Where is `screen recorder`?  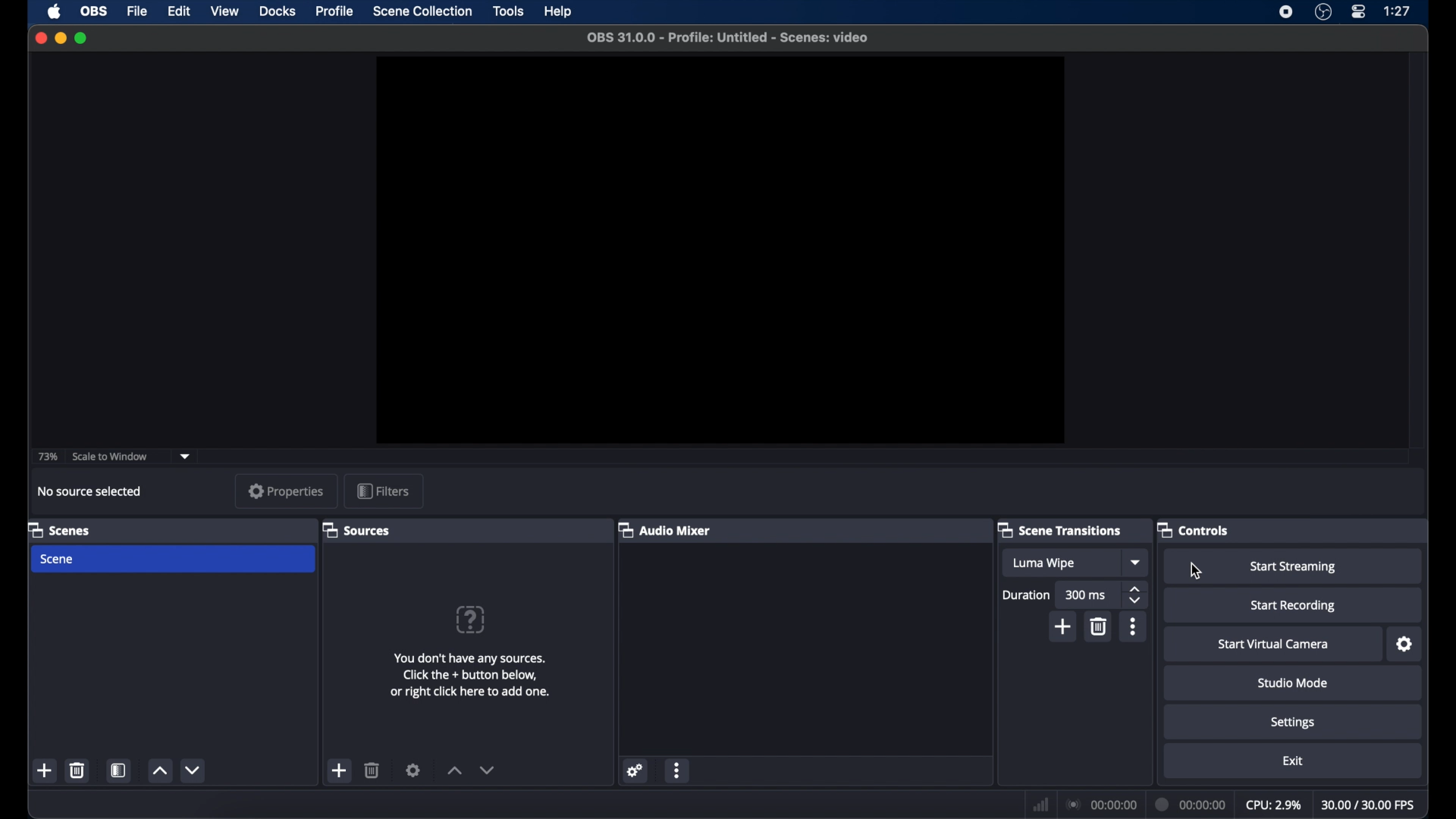
screen recorder is located at coordinates (1284, 13).